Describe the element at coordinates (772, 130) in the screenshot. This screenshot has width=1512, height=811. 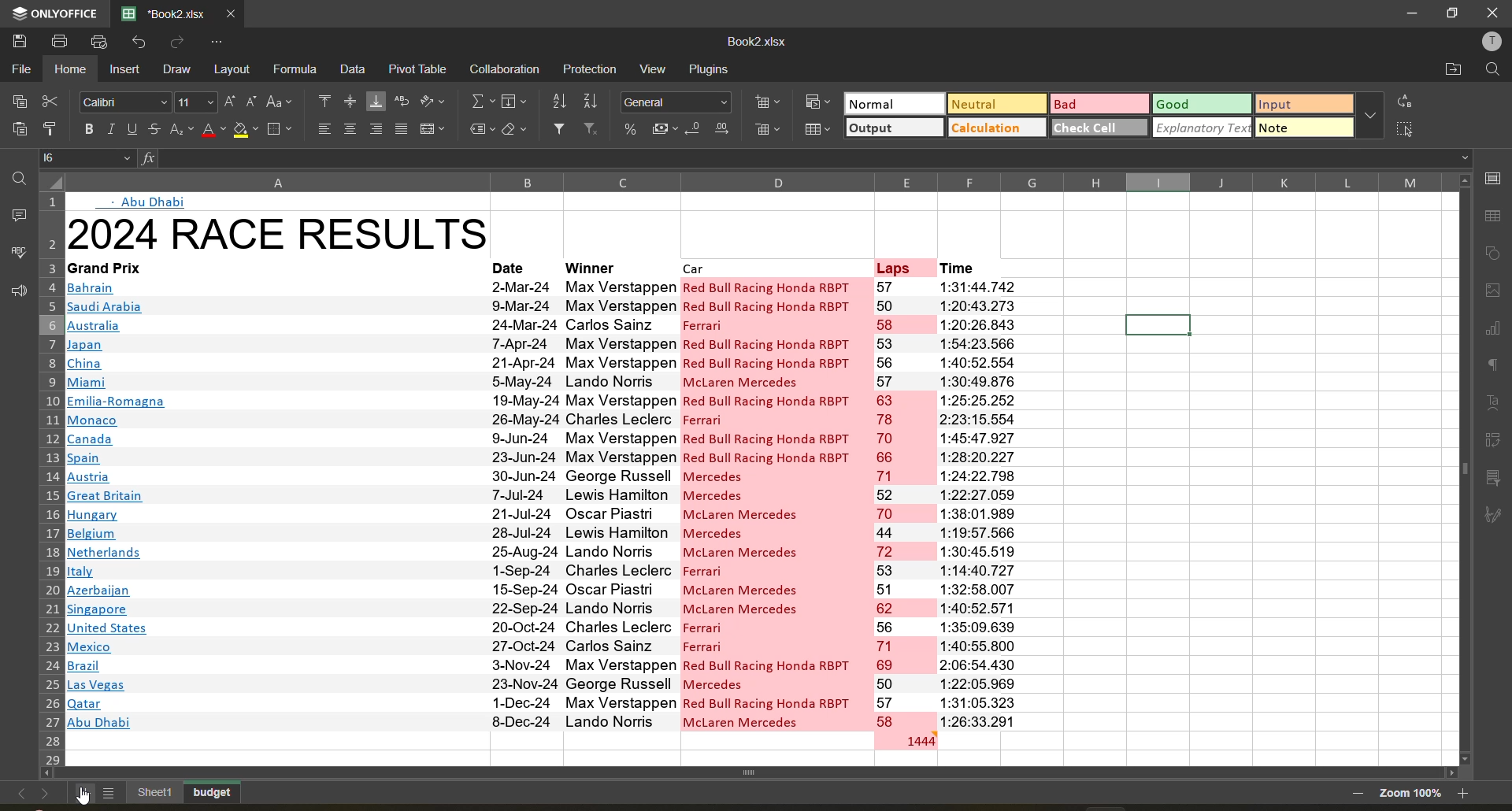
I see `delete cells` at that location.